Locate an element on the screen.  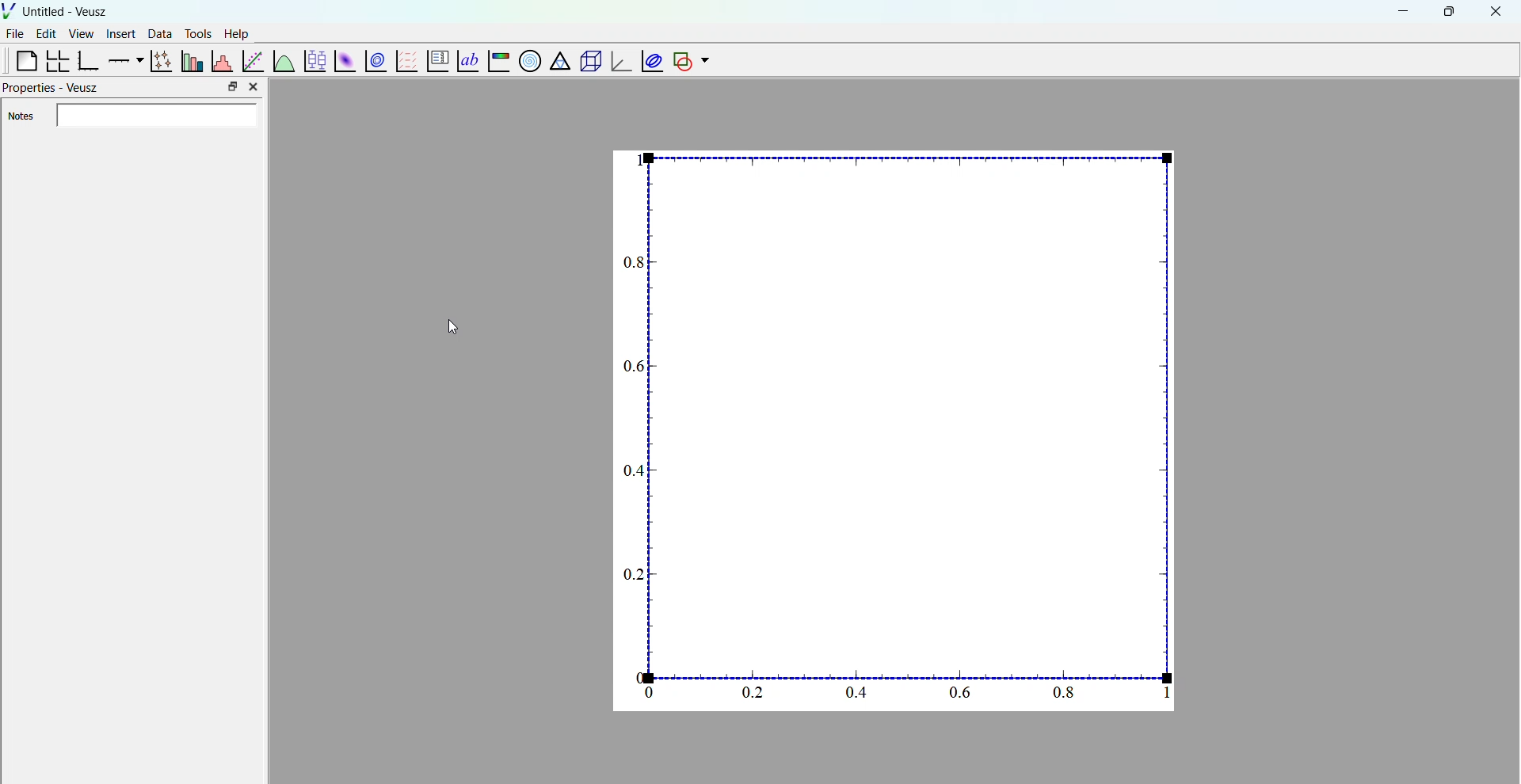
data is located at coordinates (158, 33).